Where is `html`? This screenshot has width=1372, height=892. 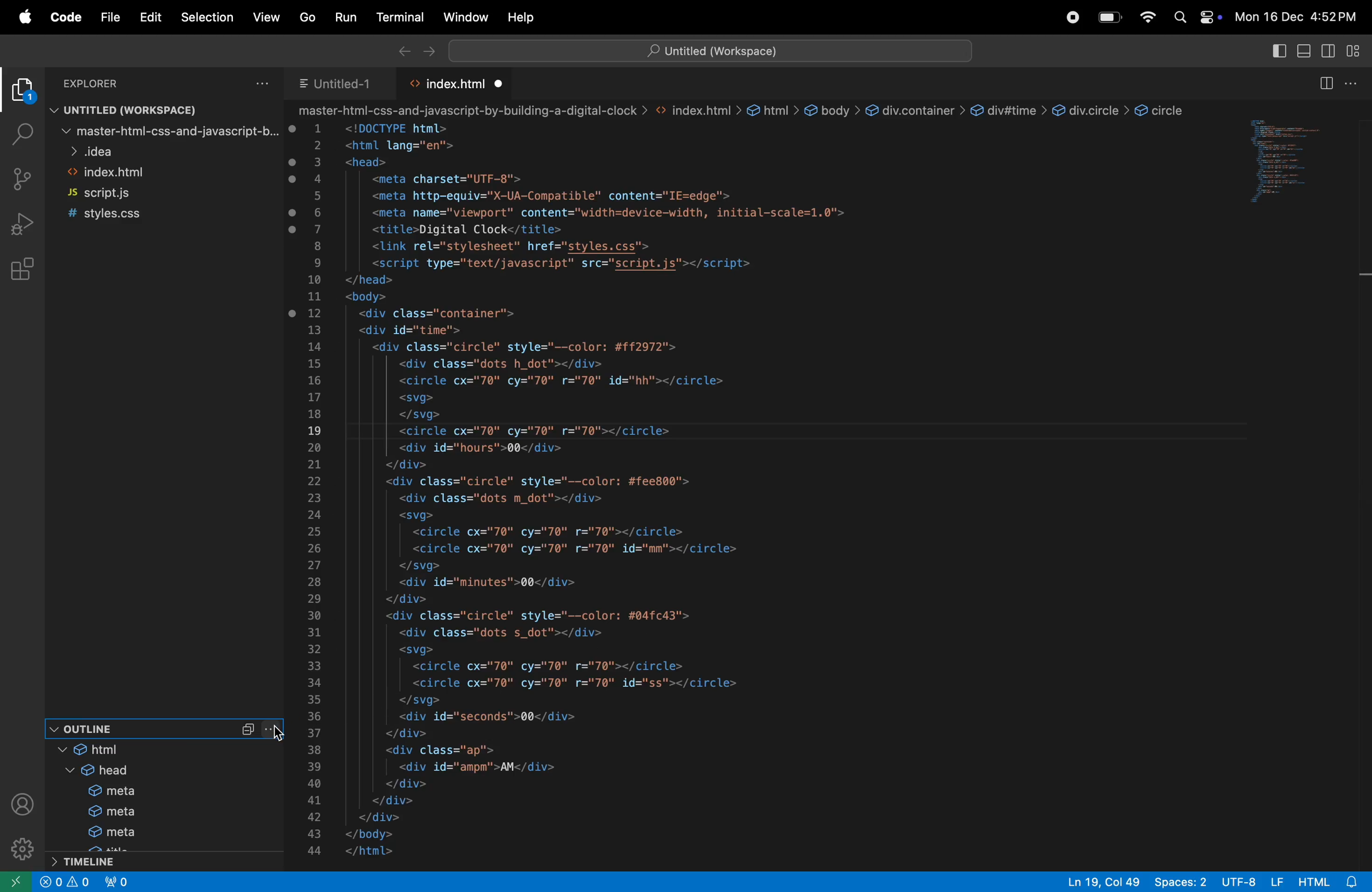 html is located at coordinates (111, 751).